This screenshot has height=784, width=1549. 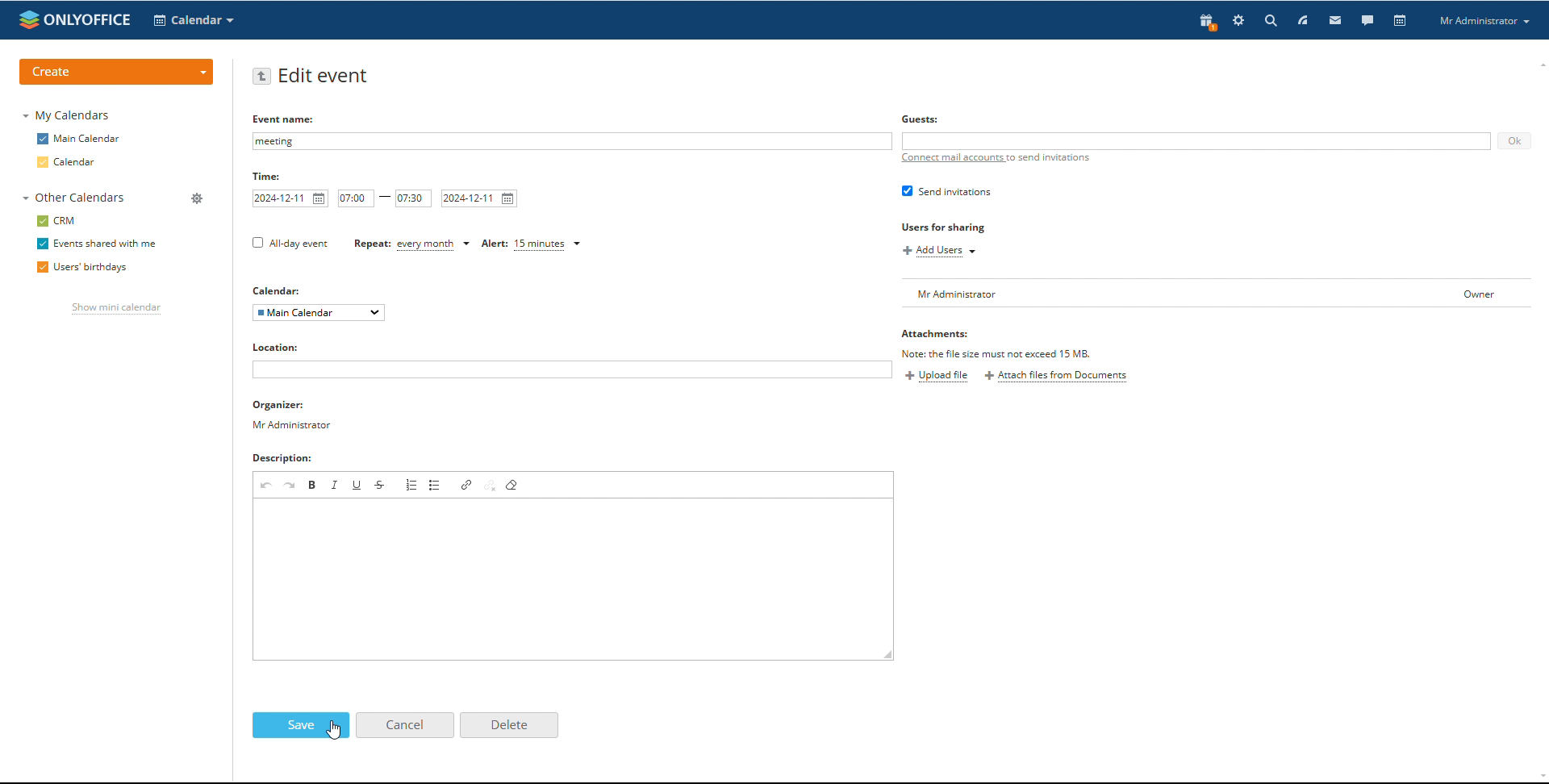 I want to click on italic, so click(x=334, y=485).